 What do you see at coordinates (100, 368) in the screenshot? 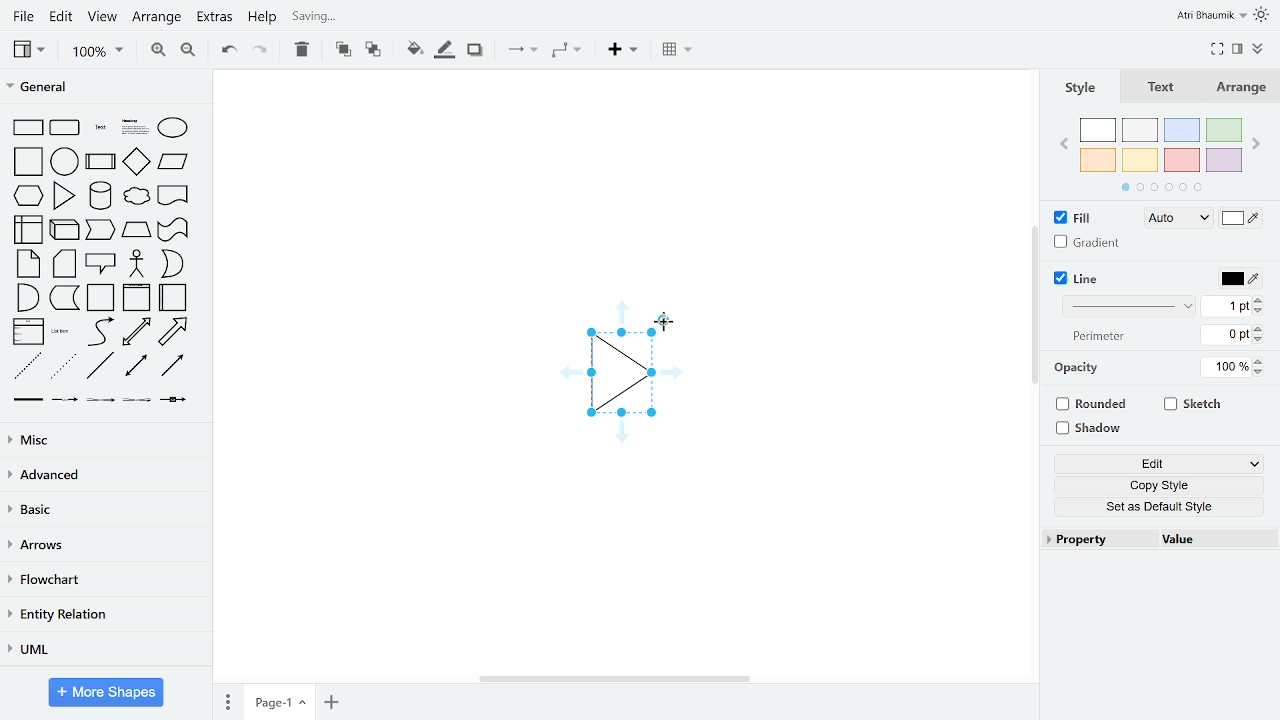
I see `line` at bounding box center [100, 368].